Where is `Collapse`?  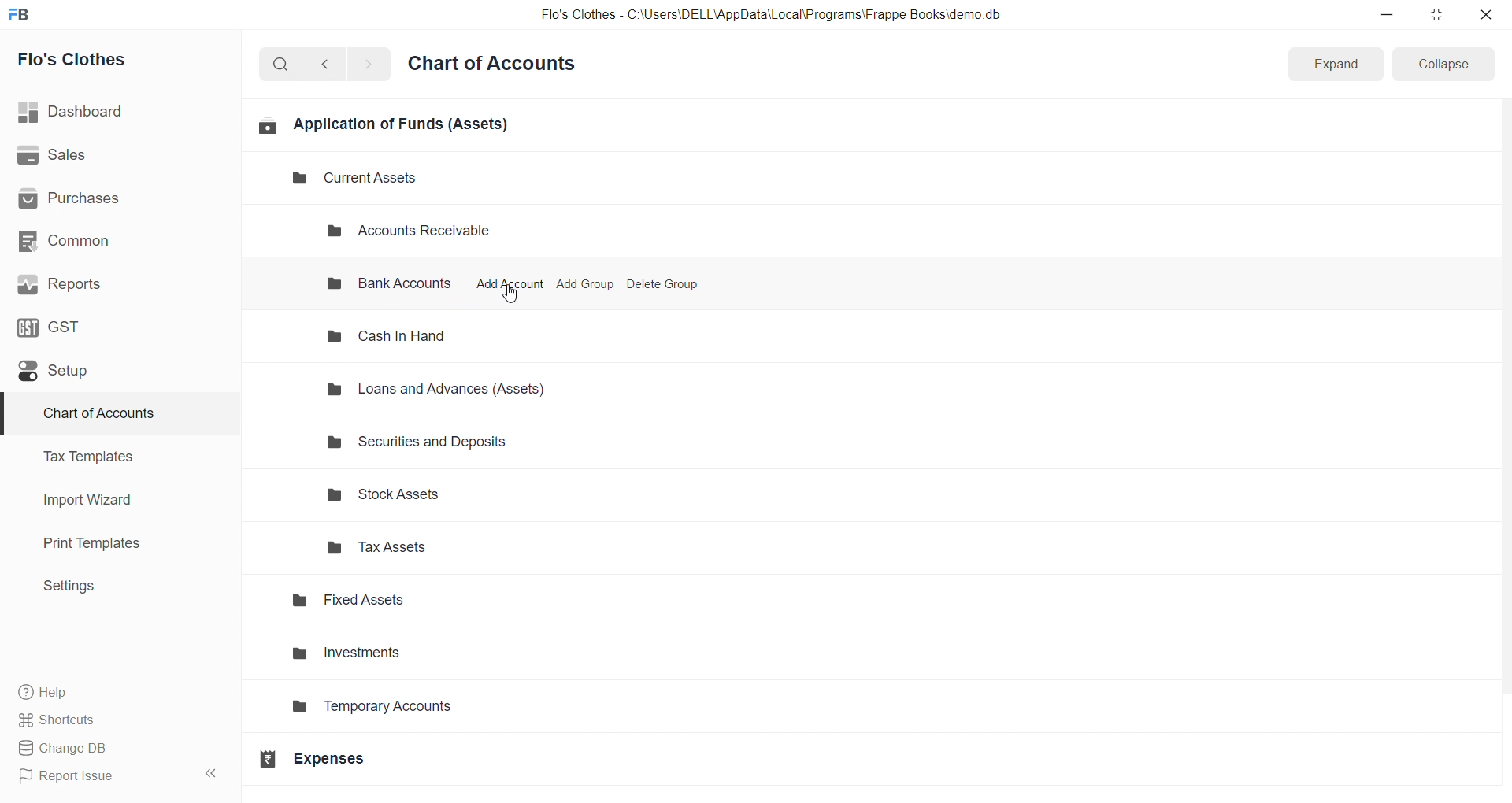 Collapse is located at coordinates (1444, 63).